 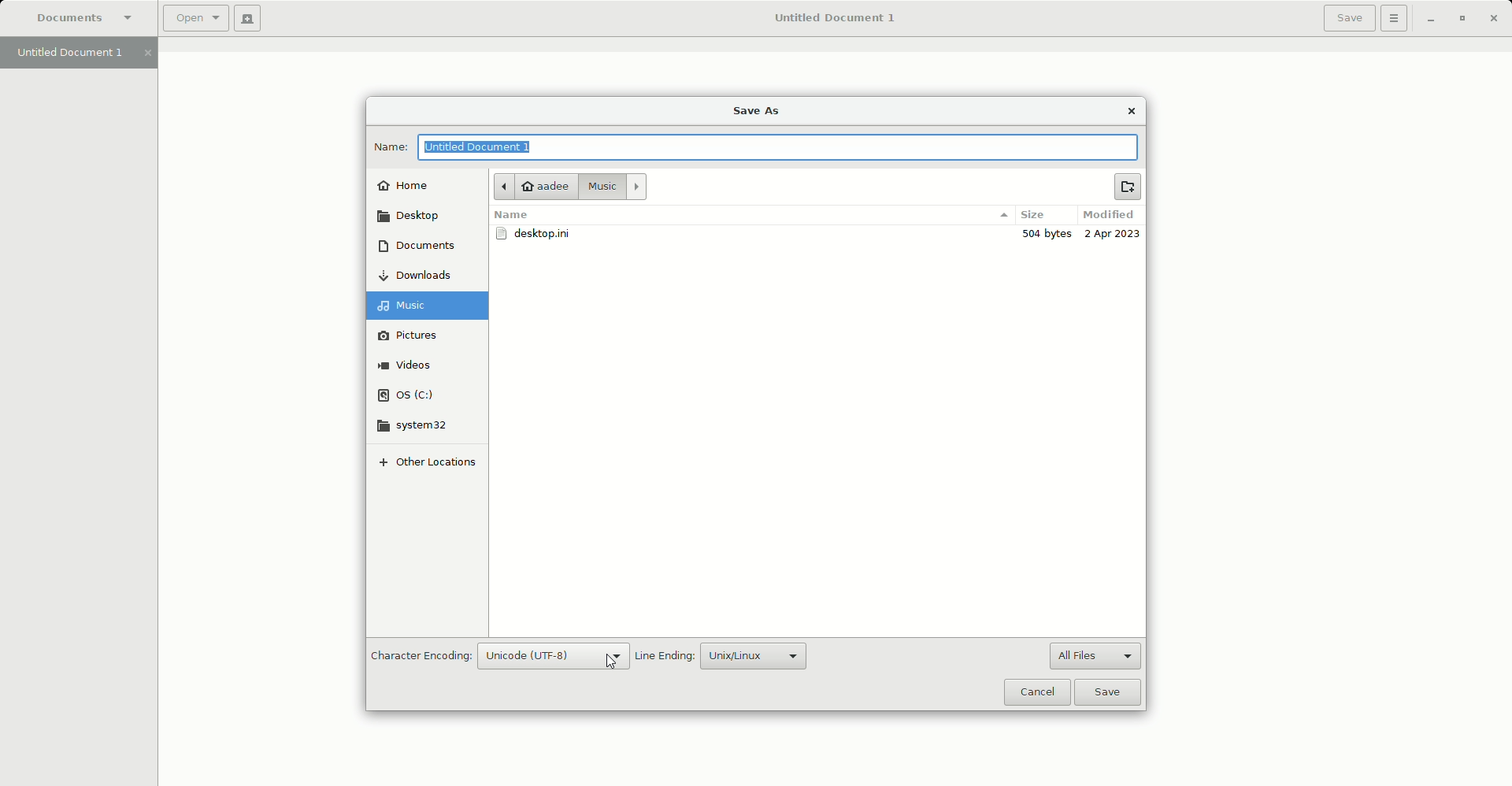 What do you see at coordinates (191, 18) in the screenshot?
I see `Open` at bounding box center [191, 18].